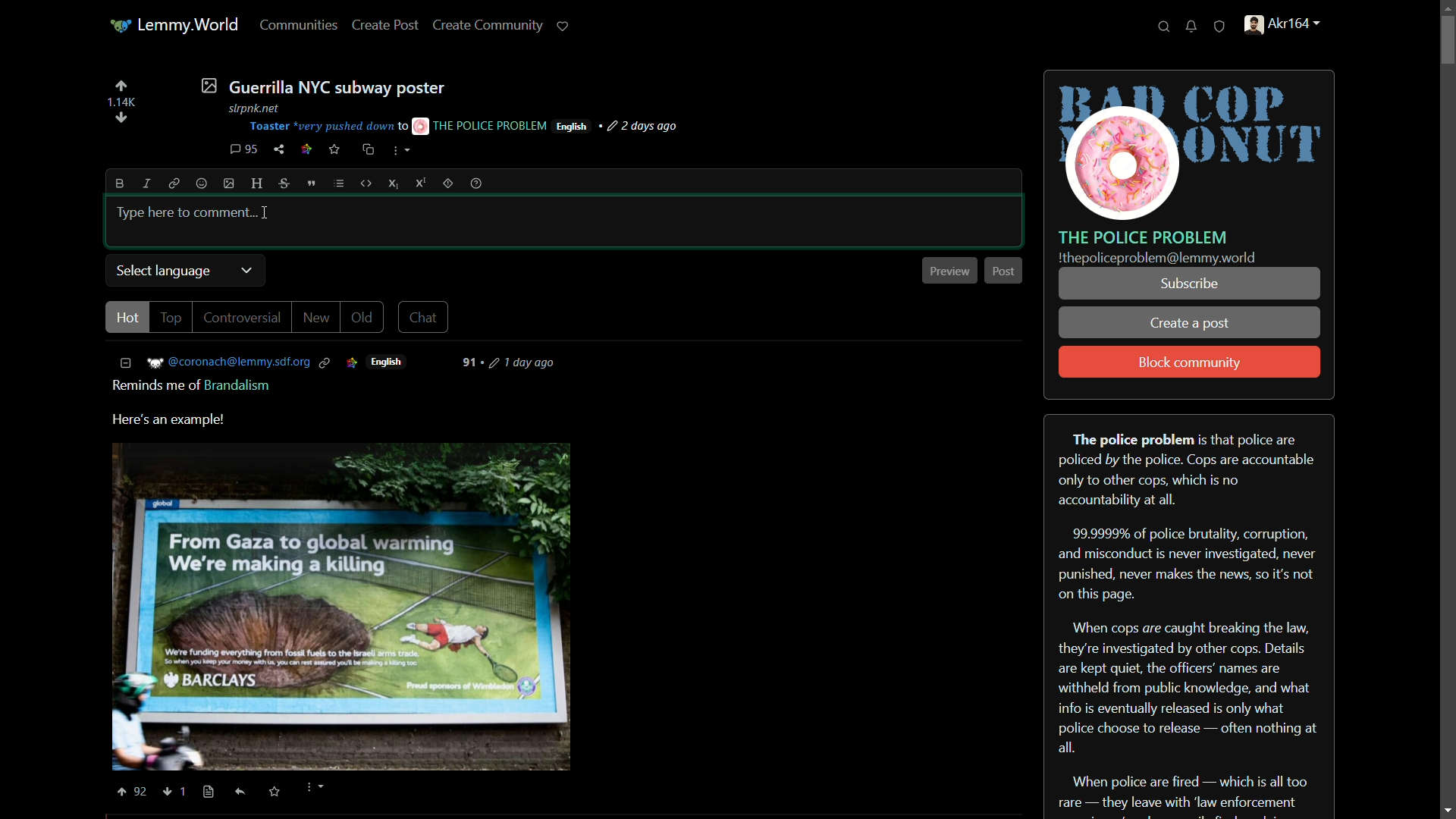 Image resolution: width=1456 pixels, height=819 pixels. What do you see at coordinates (1291, 27) in the screenshot?
I see `handle` at bounding box center [1291, 27].